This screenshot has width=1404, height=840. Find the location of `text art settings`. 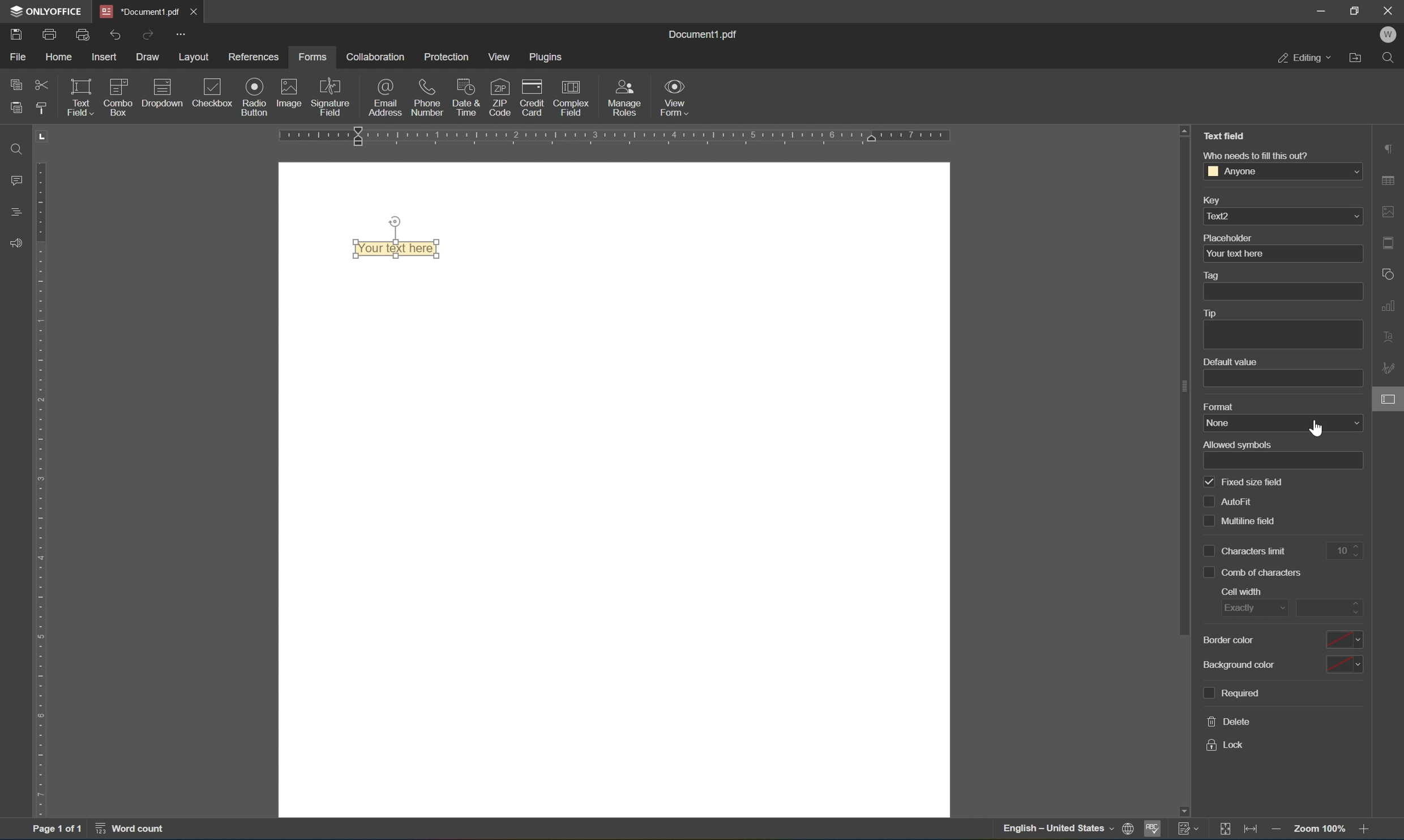

text art settings is located at coordinates (1388, 340).